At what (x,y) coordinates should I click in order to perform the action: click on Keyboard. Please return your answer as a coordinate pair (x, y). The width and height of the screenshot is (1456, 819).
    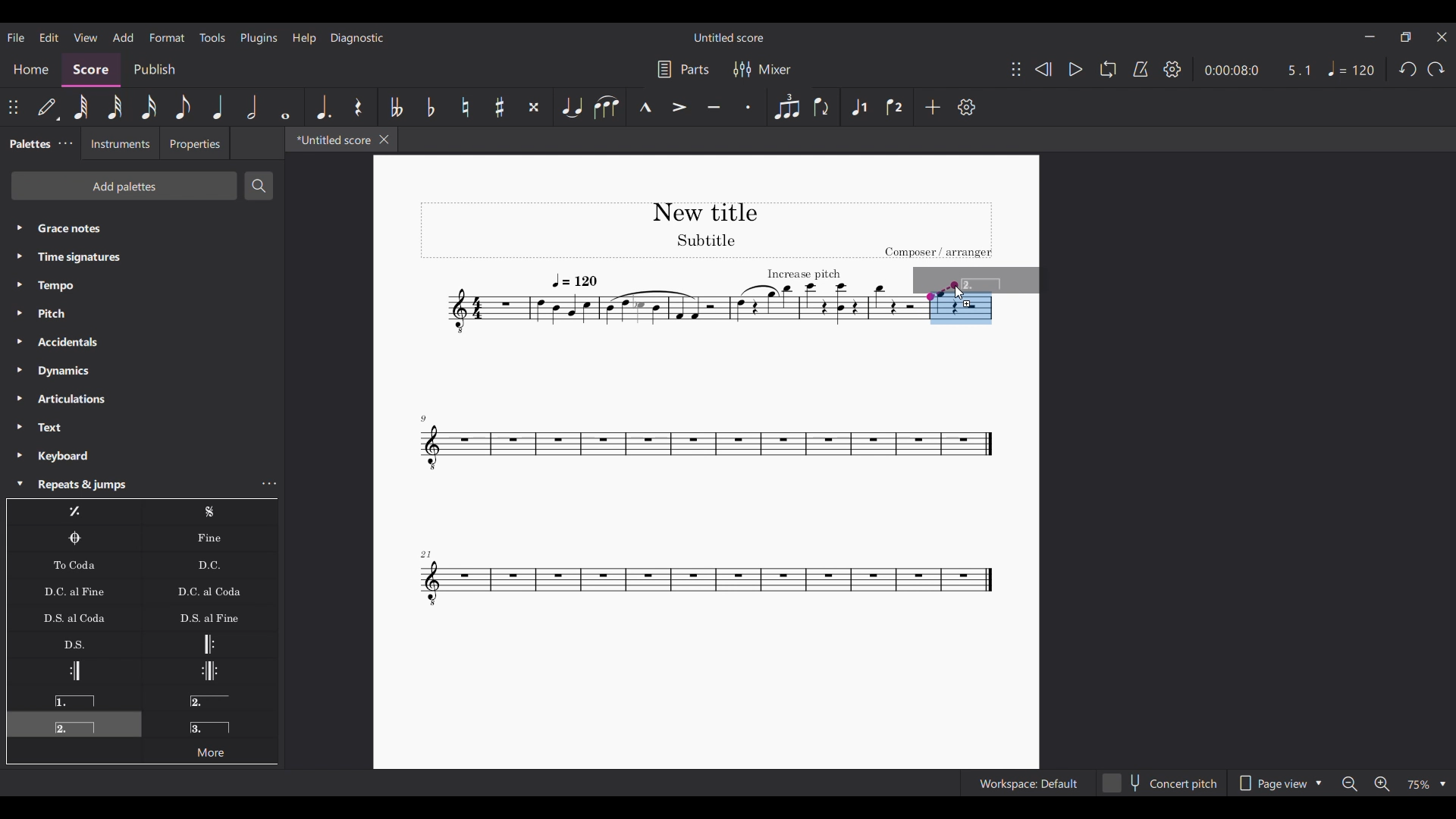
    Looking at the image, I should click on (142, 456).